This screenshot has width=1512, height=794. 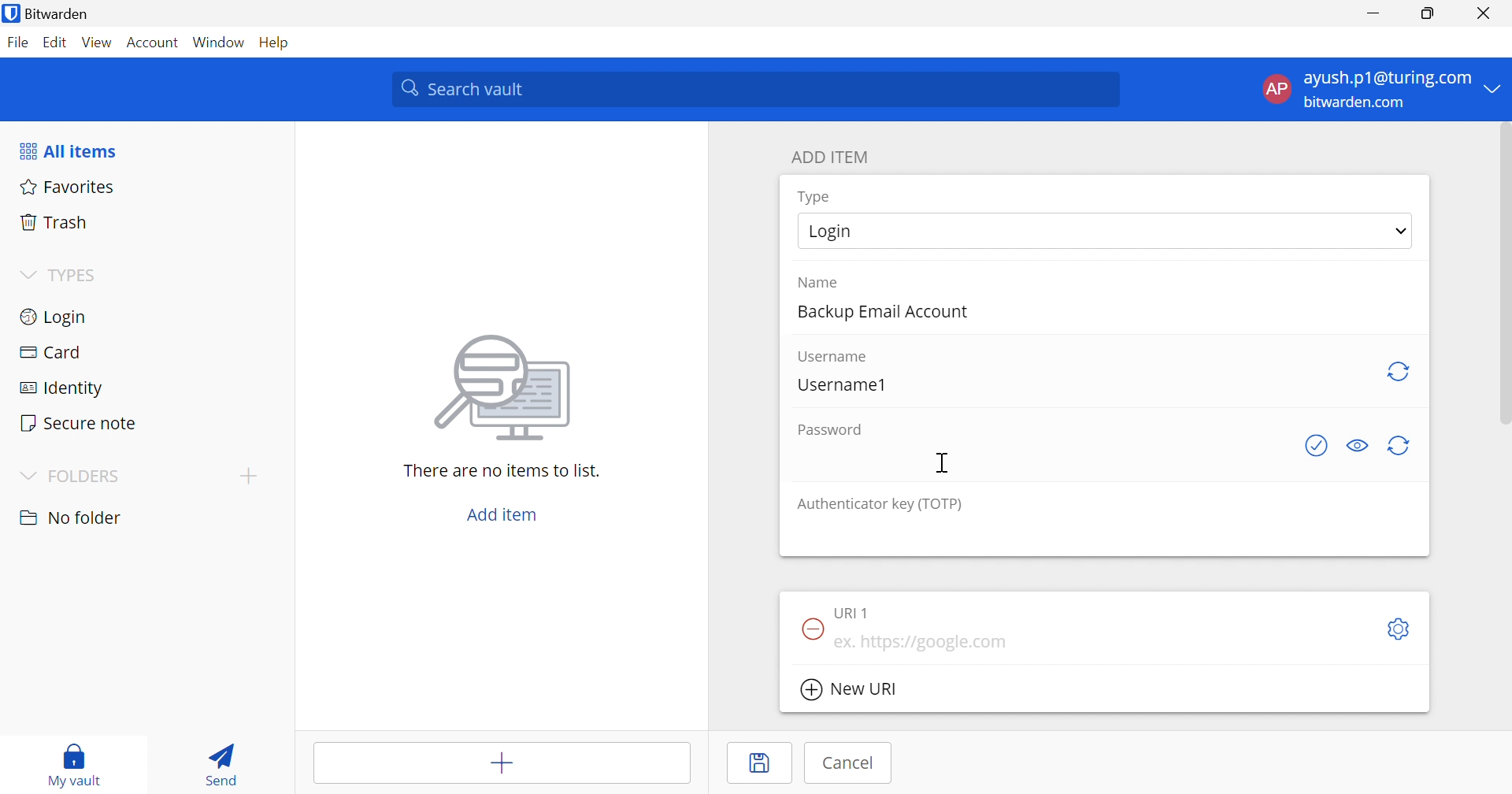 I want to click on Authenticator key (TOTP), so click(x=880, y=506).